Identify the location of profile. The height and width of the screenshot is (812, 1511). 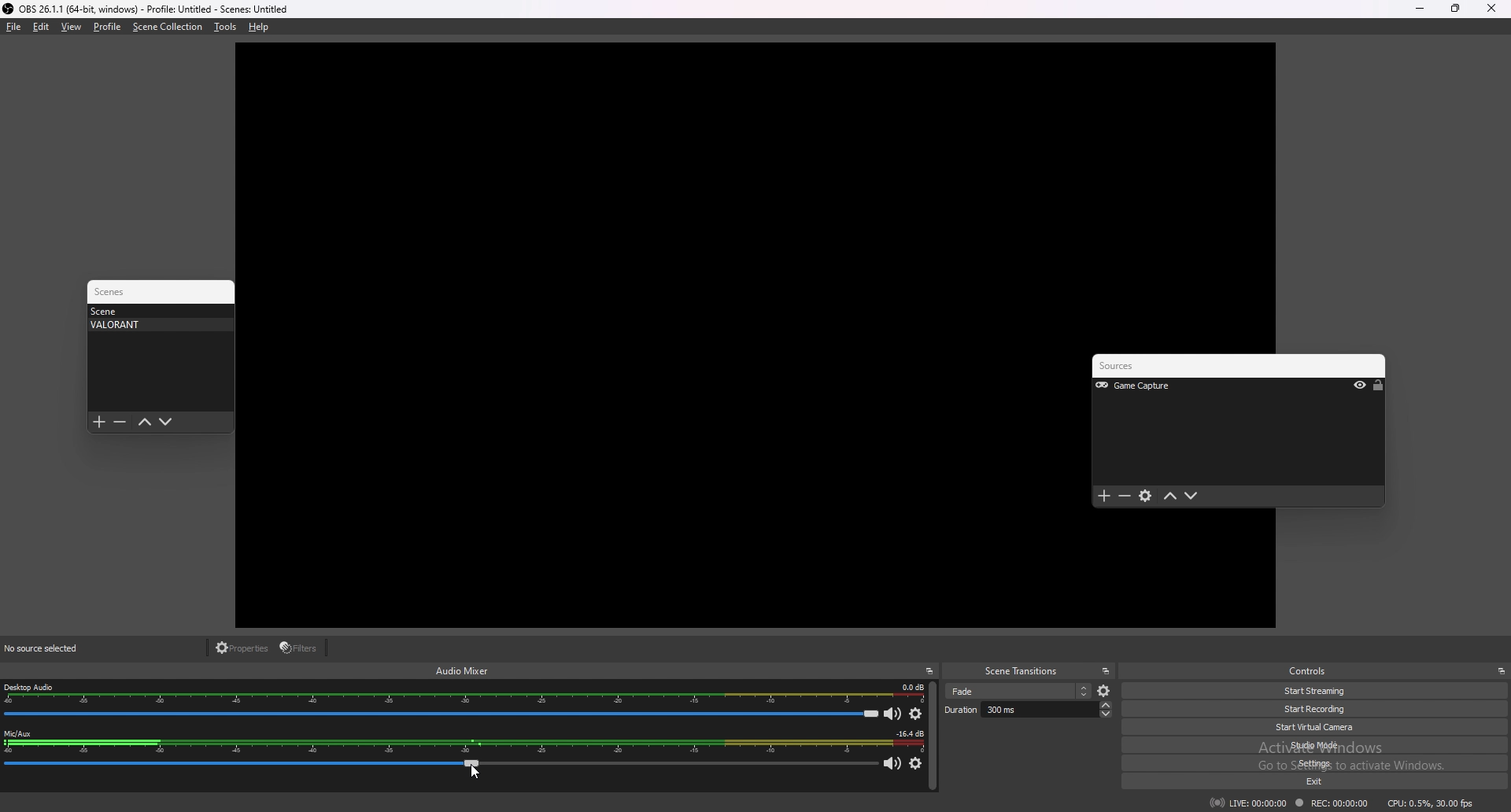
(107, 27).